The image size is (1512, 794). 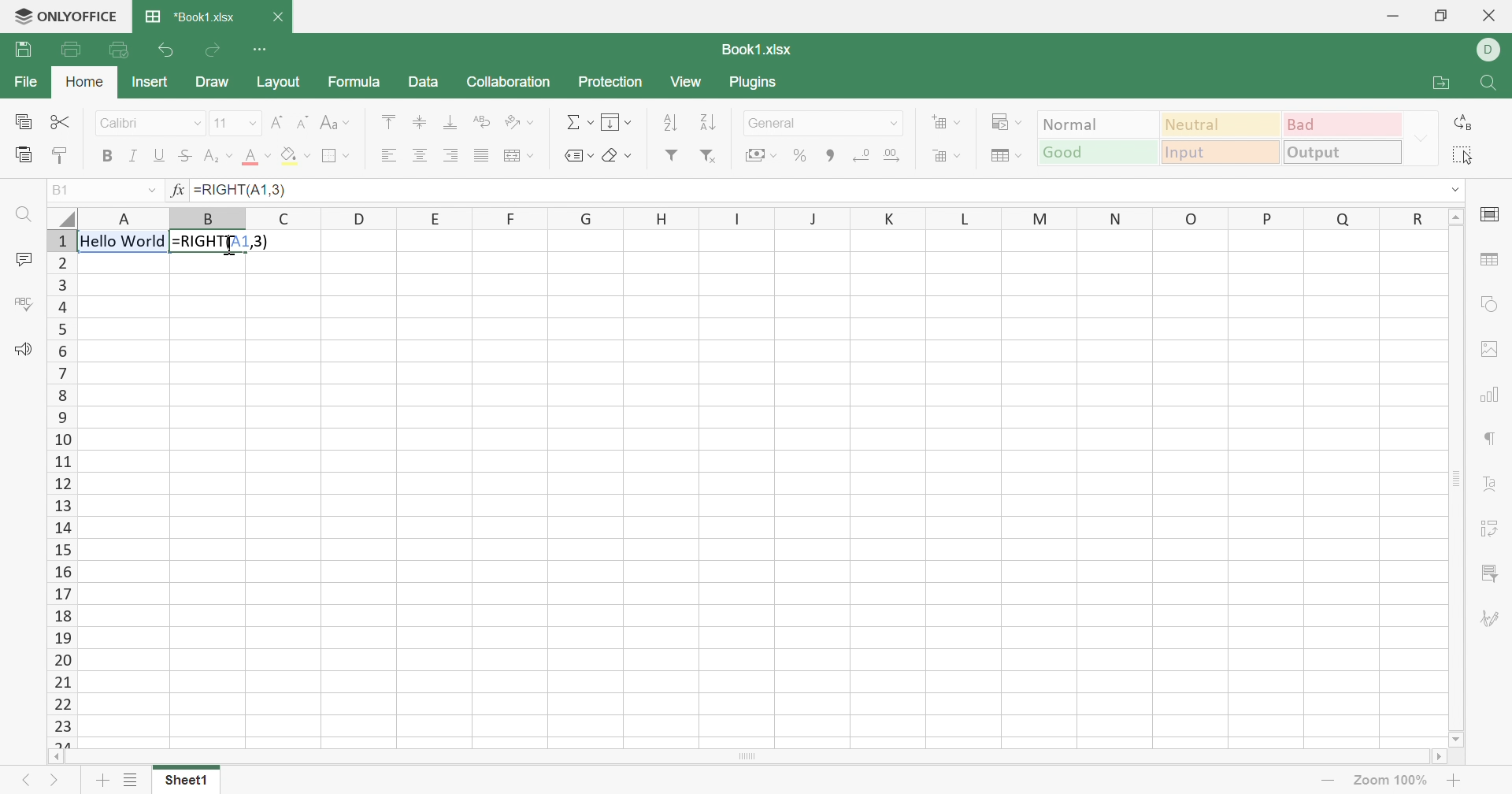 I want to click on Neutral, so click(x=1220, y=126).